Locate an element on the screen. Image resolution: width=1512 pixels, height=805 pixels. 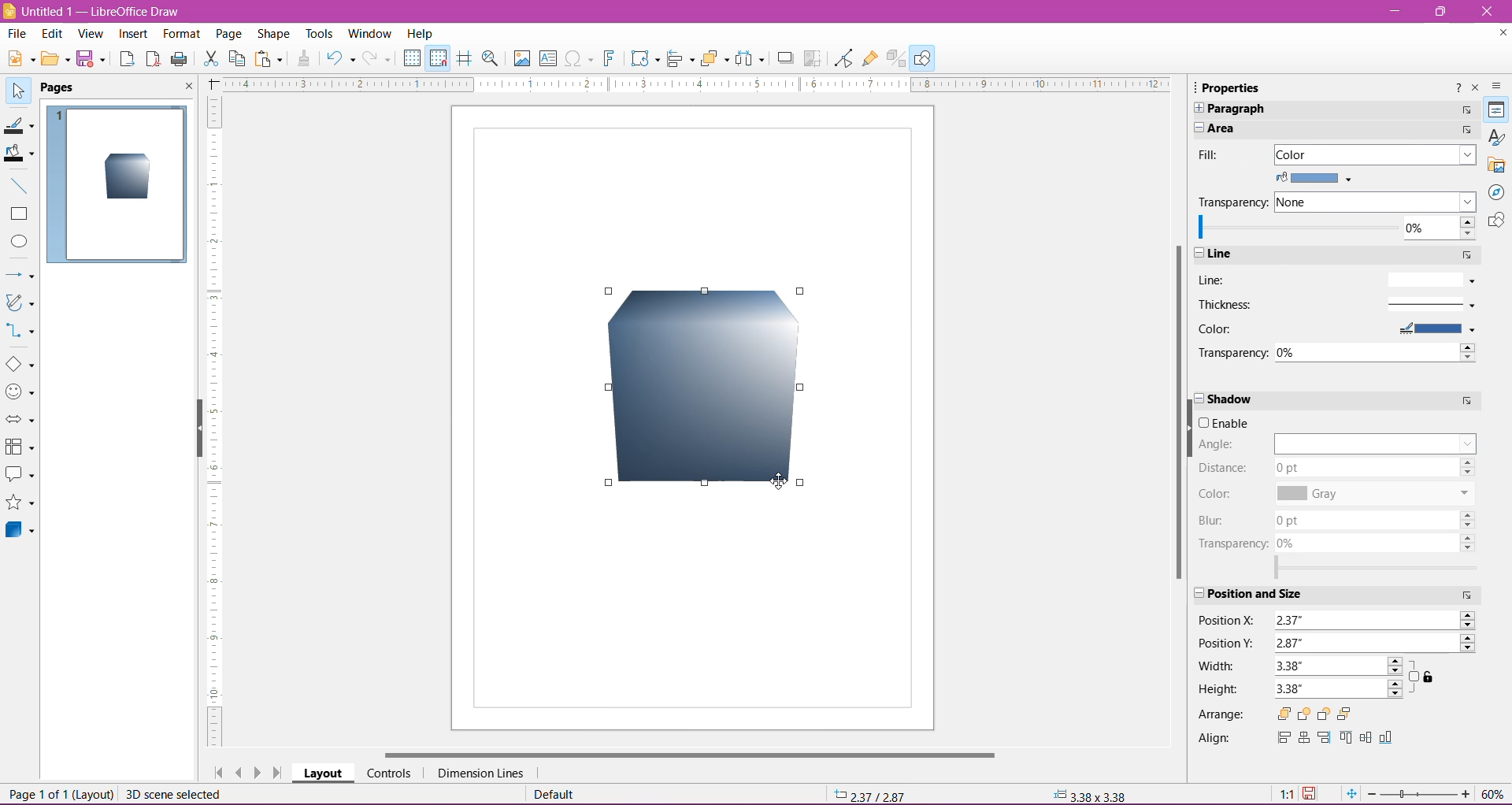
Zoom Factor is located at coordinates (1494, 794).